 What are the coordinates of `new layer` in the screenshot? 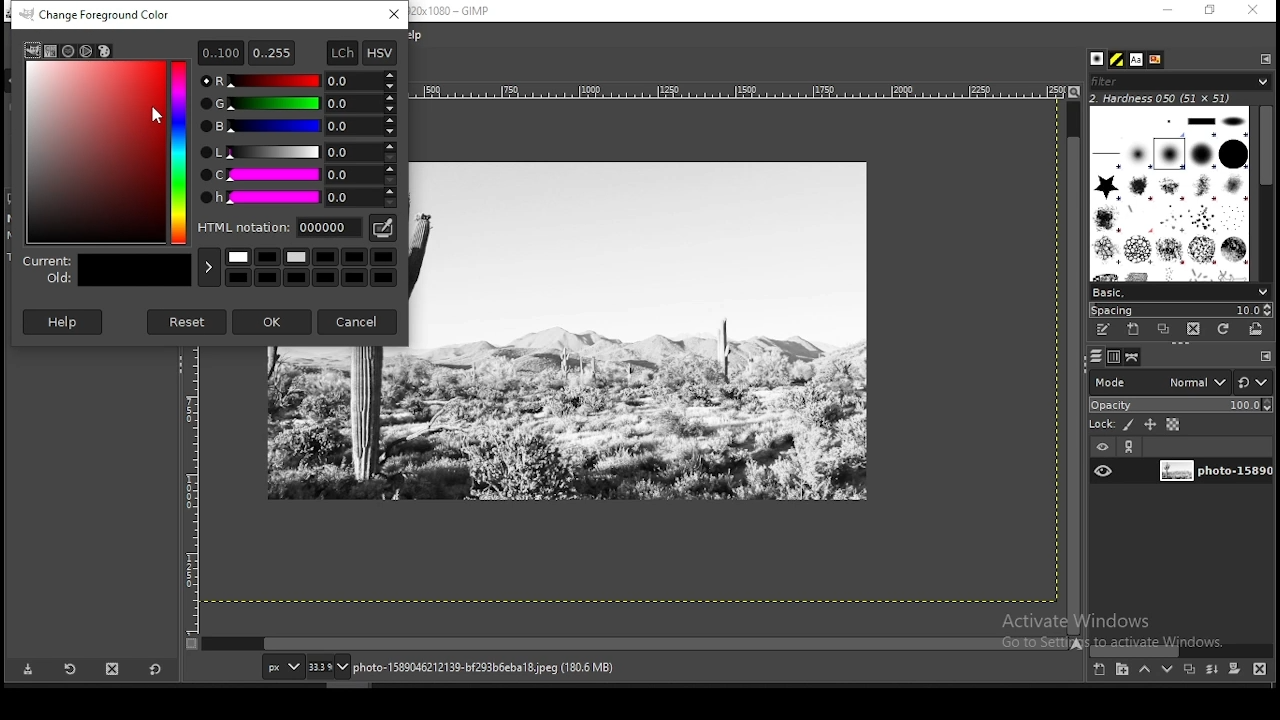 It's located at (1101, 671).